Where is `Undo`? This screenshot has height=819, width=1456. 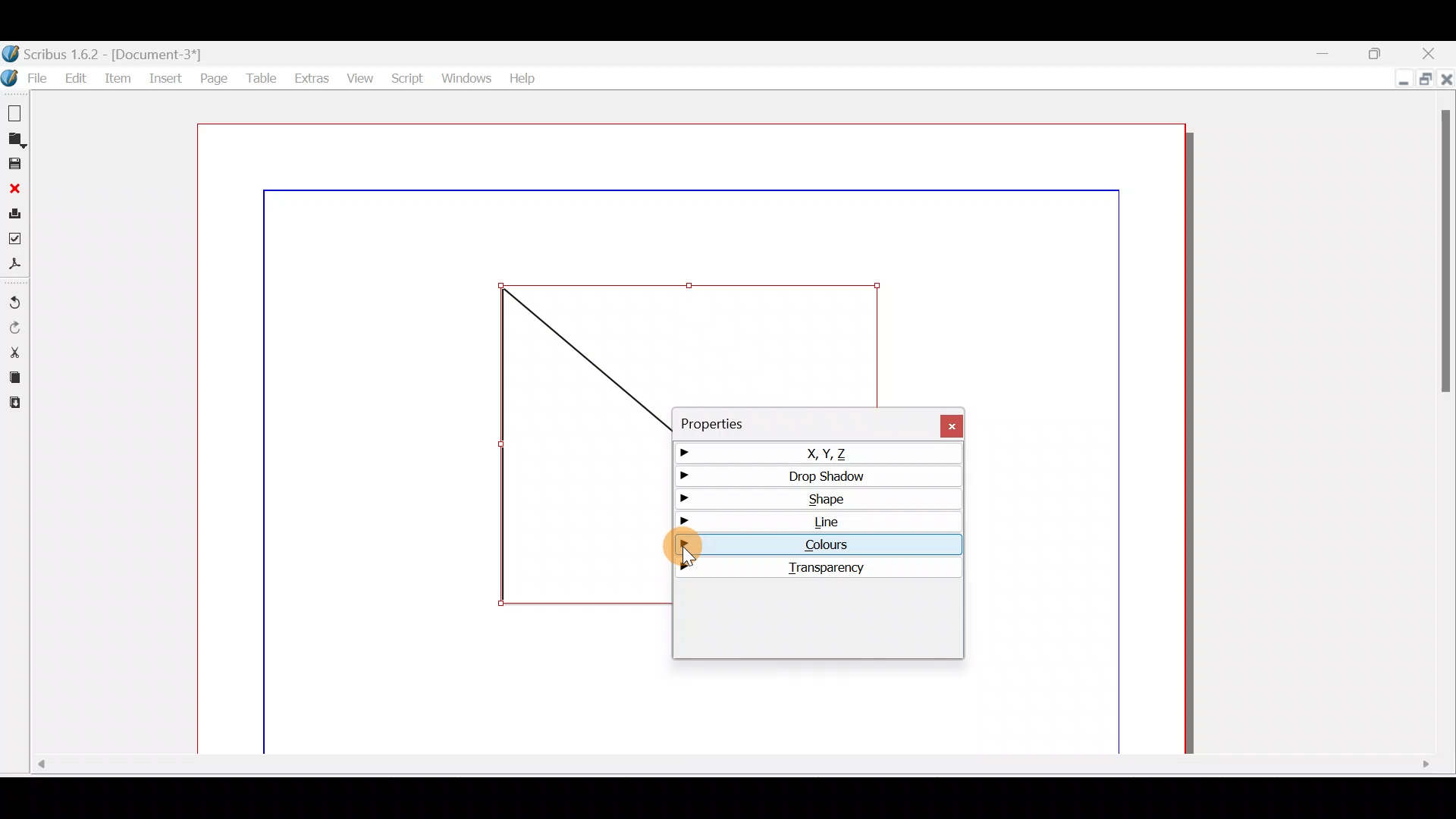
Undo is located at coordinates (17, 297).